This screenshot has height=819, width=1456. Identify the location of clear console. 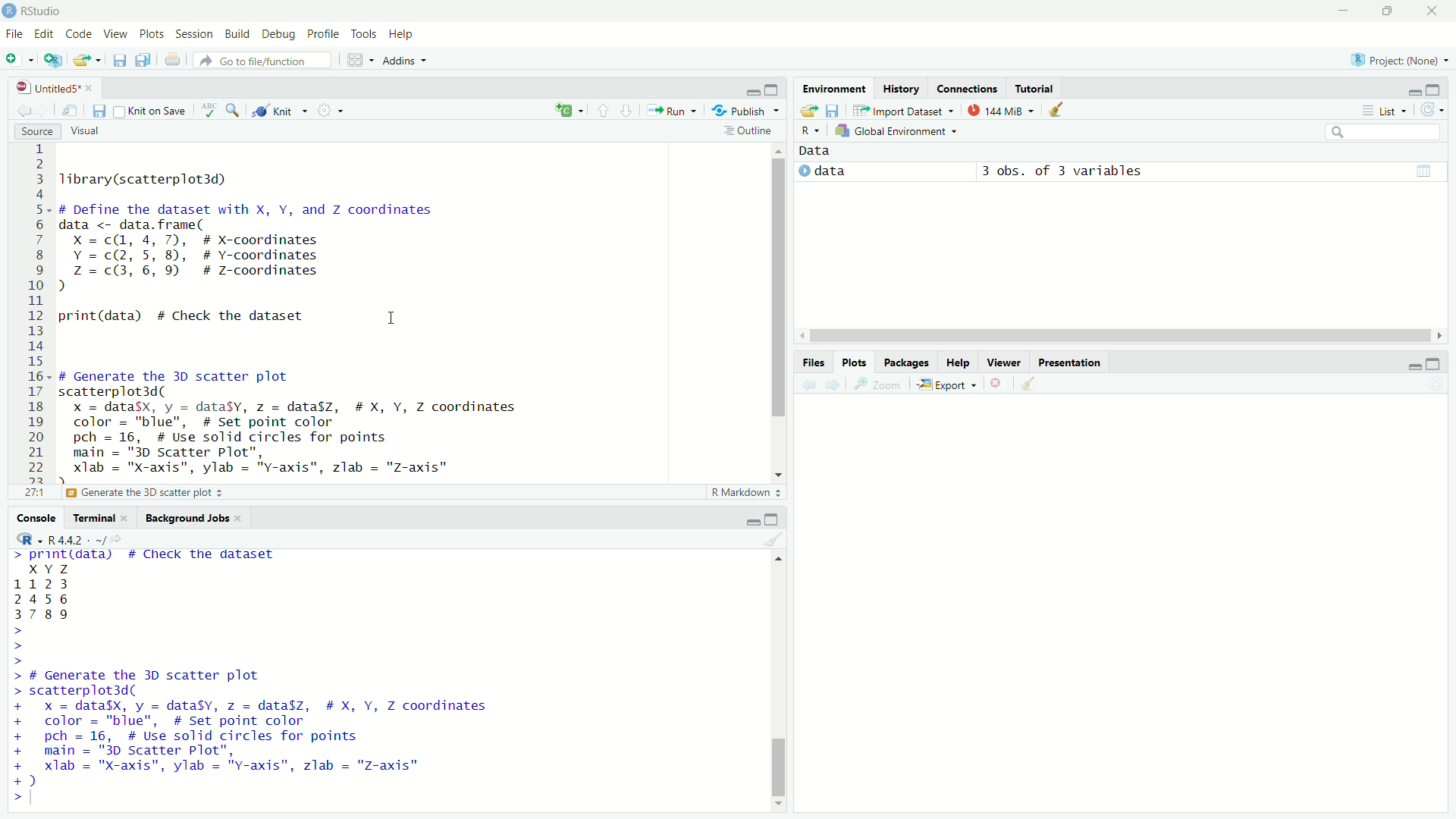
(772, 541).